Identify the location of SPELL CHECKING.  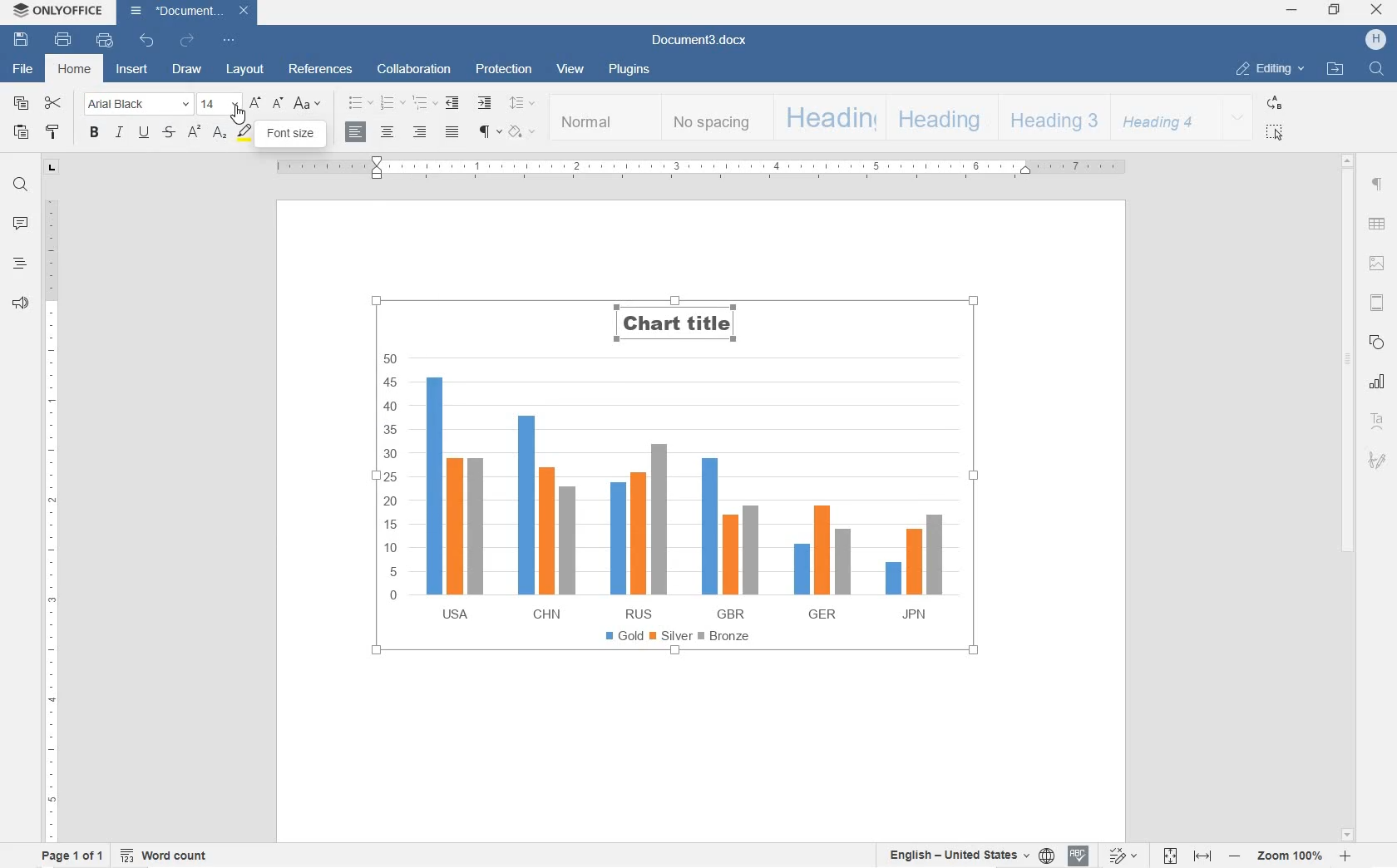
(1079, 856).